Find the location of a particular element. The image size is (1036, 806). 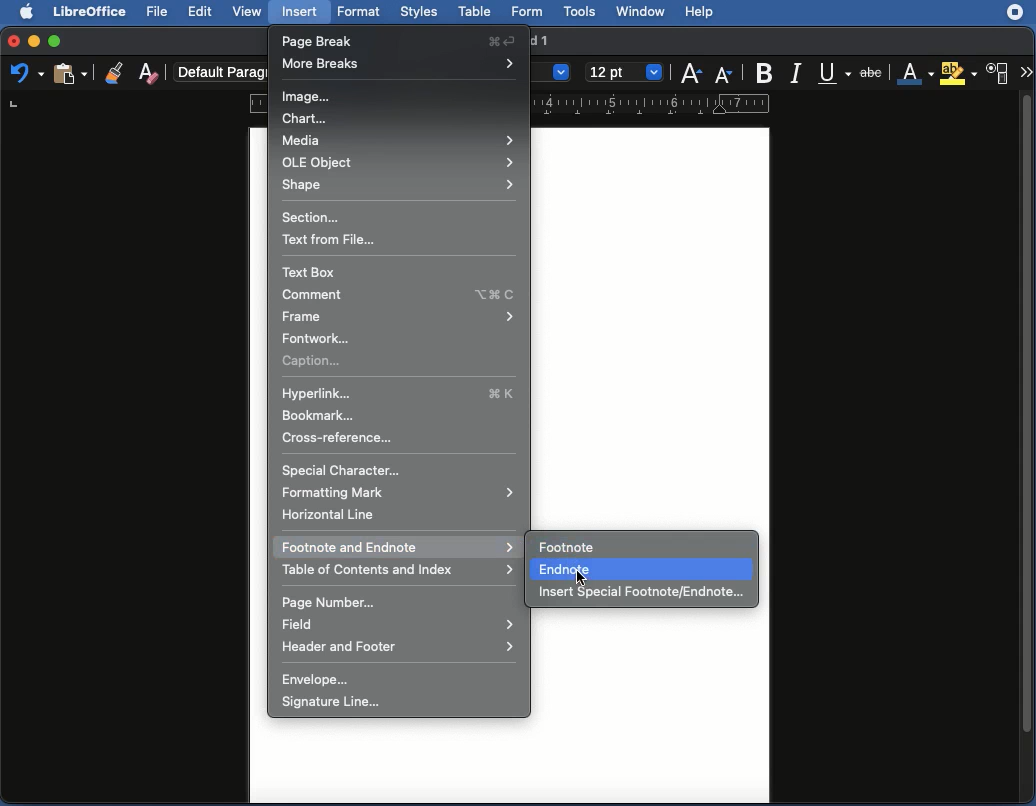

Image is located at coordinates (307, 96).